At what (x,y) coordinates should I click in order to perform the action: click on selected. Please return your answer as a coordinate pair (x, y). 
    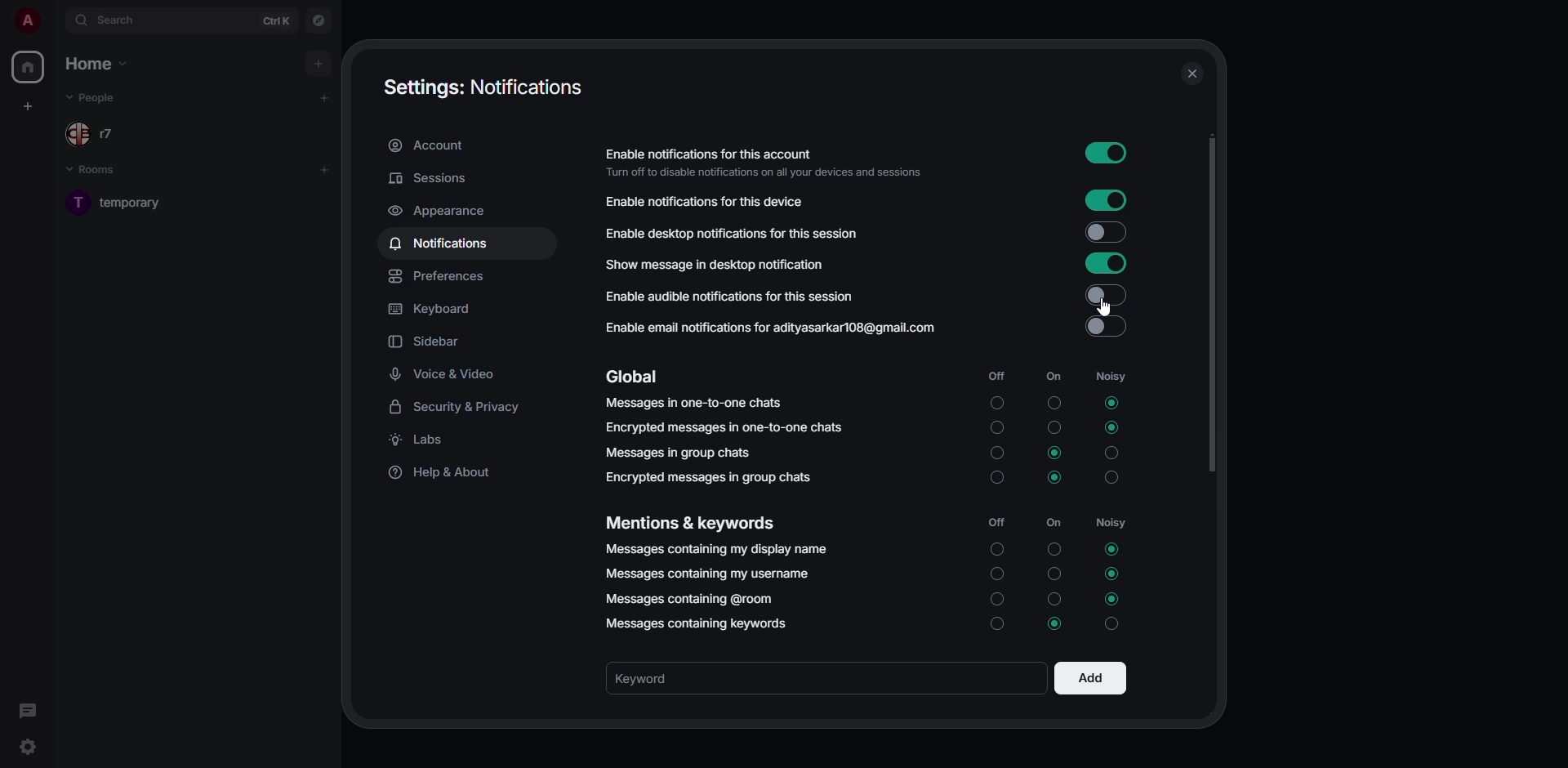
    Looking at the image, I should click on (1057, 452).